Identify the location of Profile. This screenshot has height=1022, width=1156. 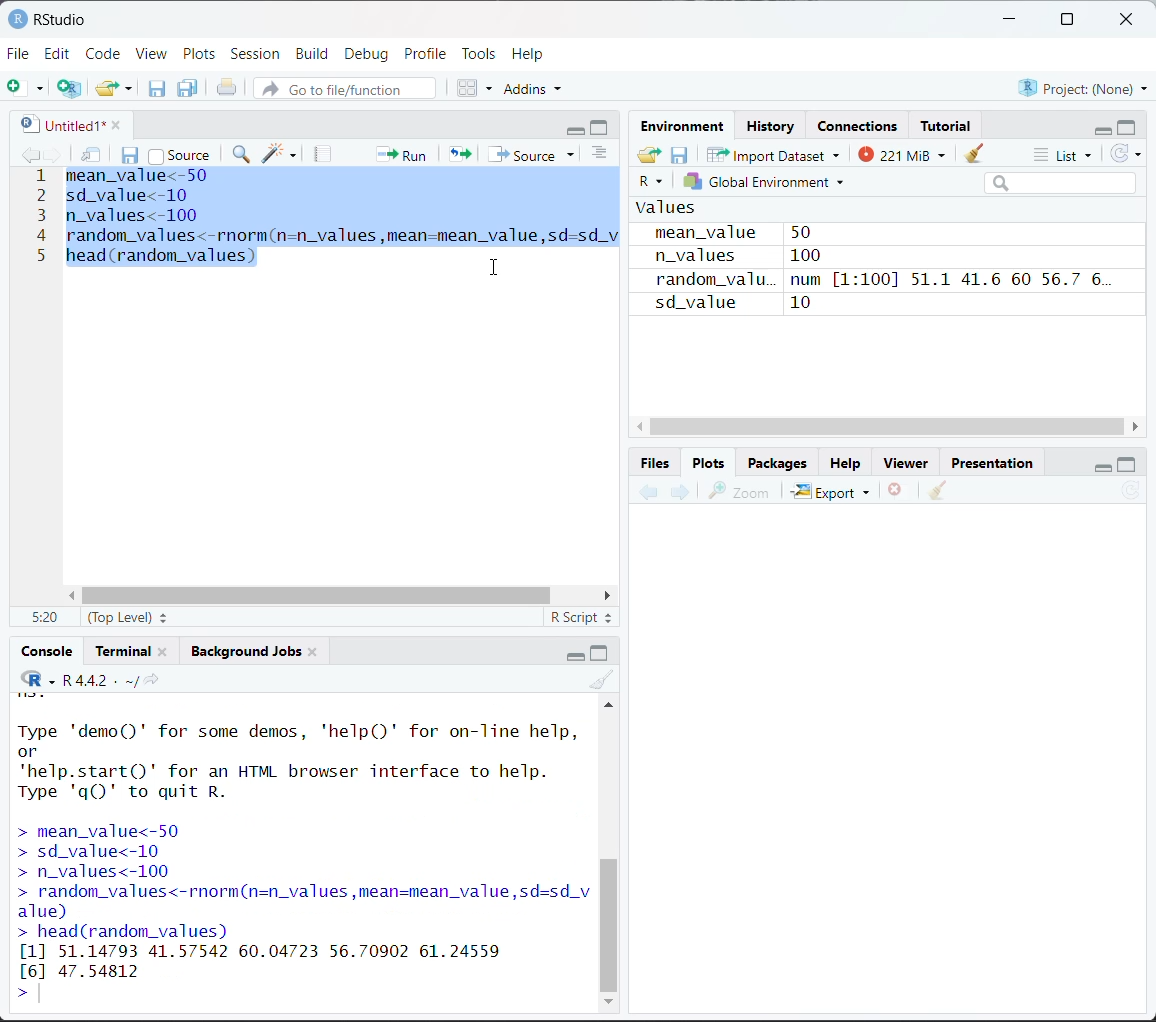
(428, 52).